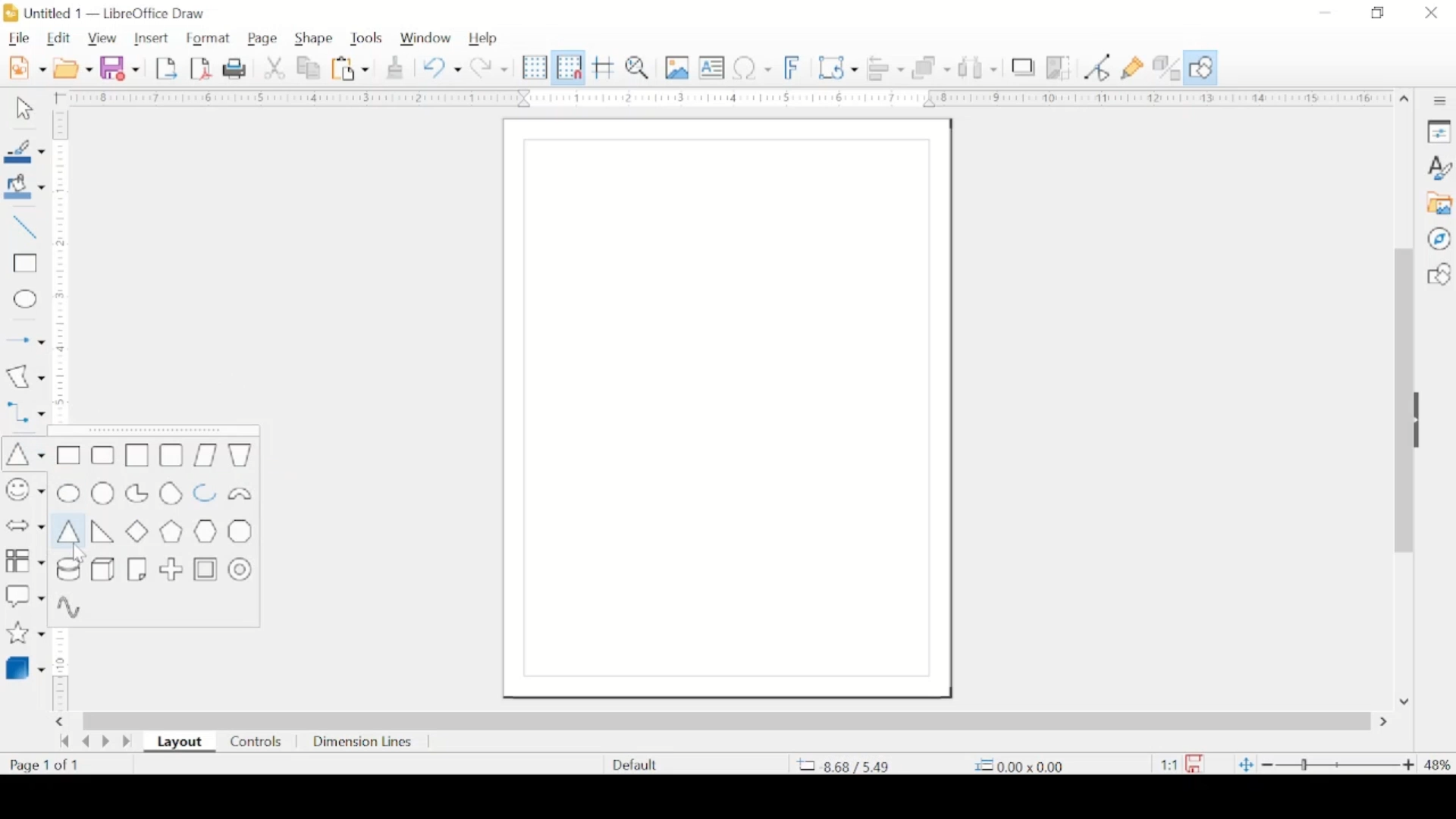 This screenshot has width=1456, height=819. What do you see at coordinates (1024, 764) in the screenshot?
I see `coordinate` at bounding box center [1024, 764].